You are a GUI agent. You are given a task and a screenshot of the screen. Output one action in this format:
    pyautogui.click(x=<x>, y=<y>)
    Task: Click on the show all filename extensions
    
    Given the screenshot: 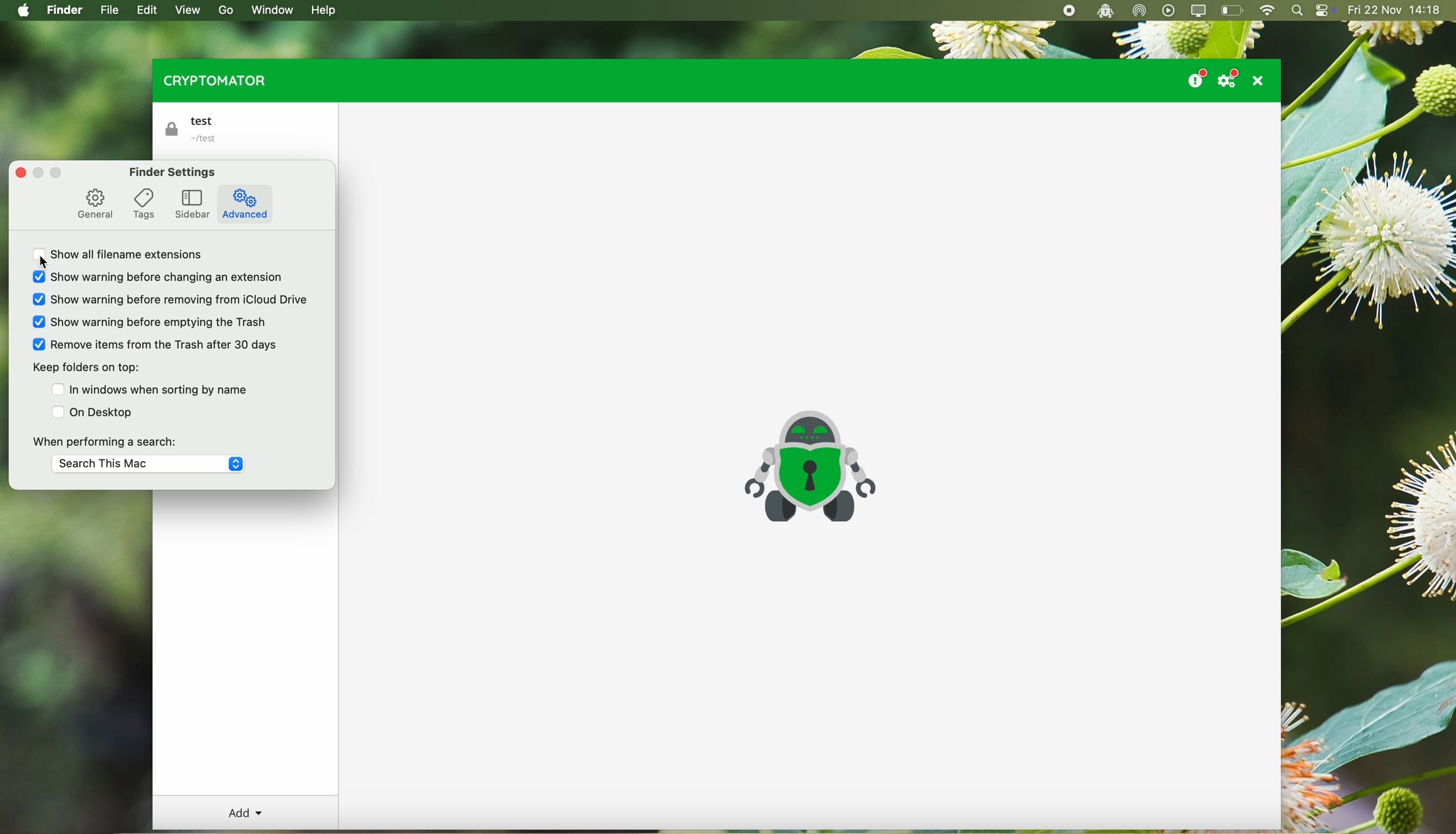 What is the action you would take?
    pyautogui.click(x=125, y=257)
    